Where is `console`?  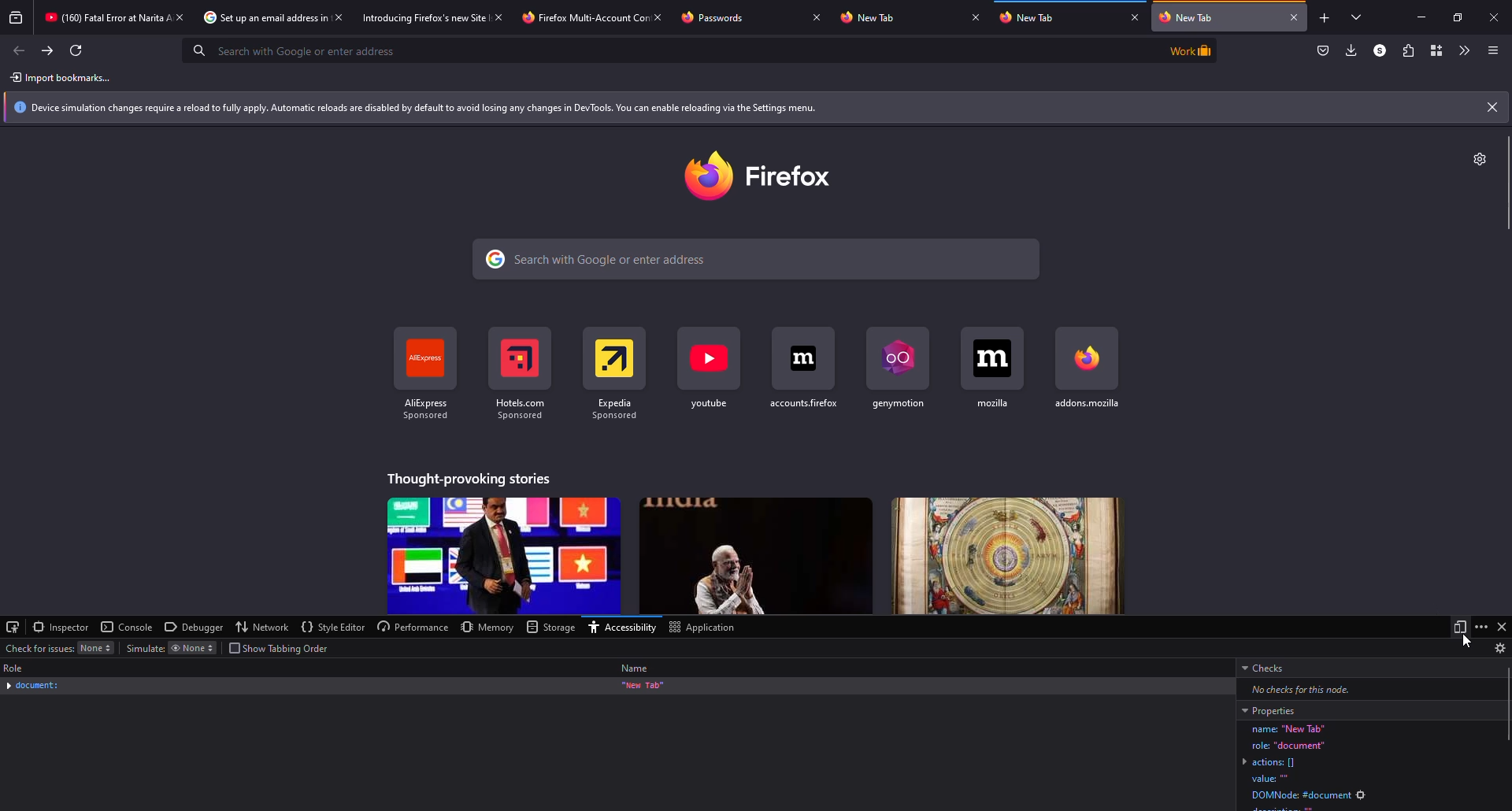
console is located at coordinates (128, 627).